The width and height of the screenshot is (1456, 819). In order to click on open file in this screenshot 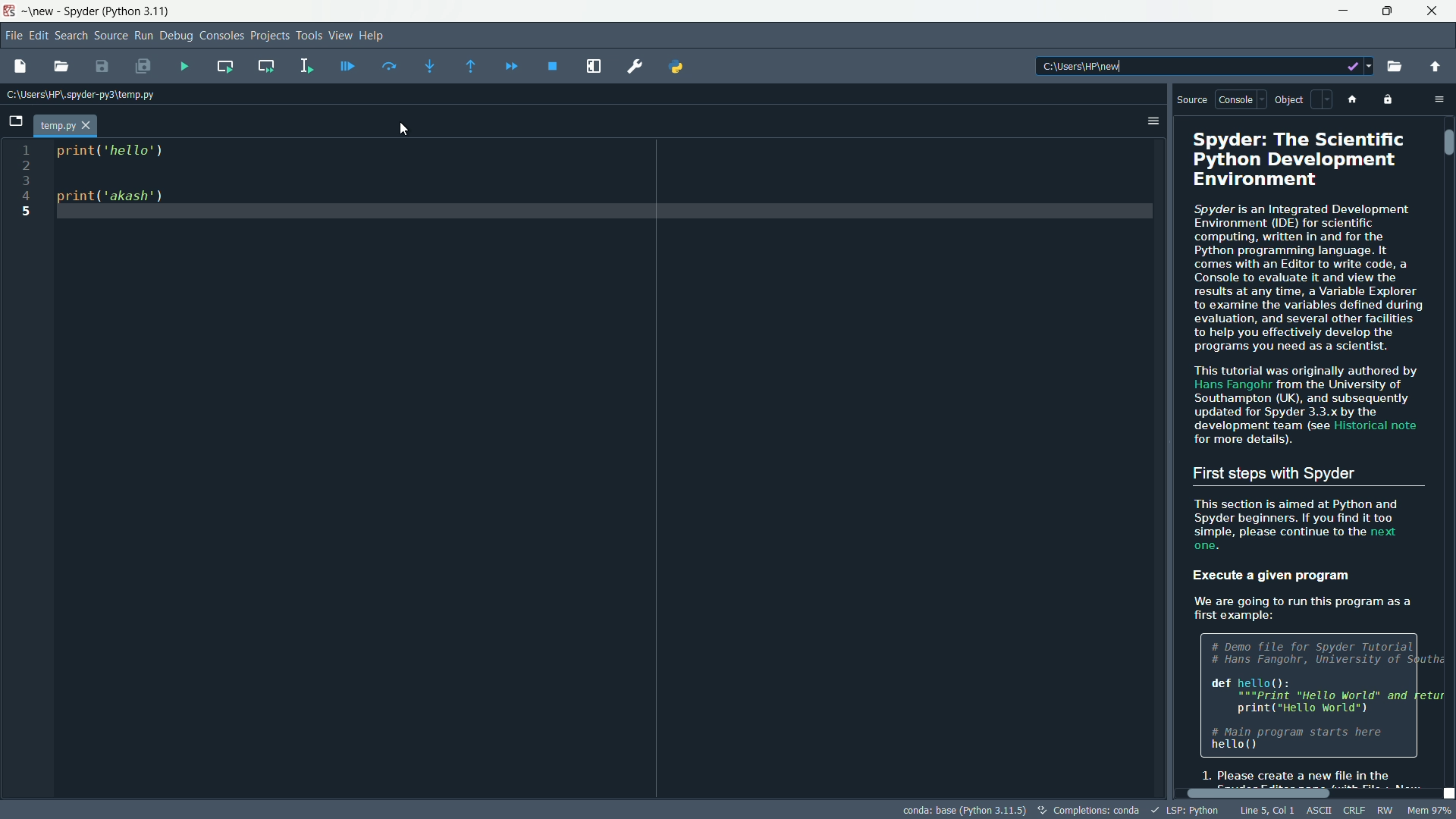, I will do `click(62, 66)`.